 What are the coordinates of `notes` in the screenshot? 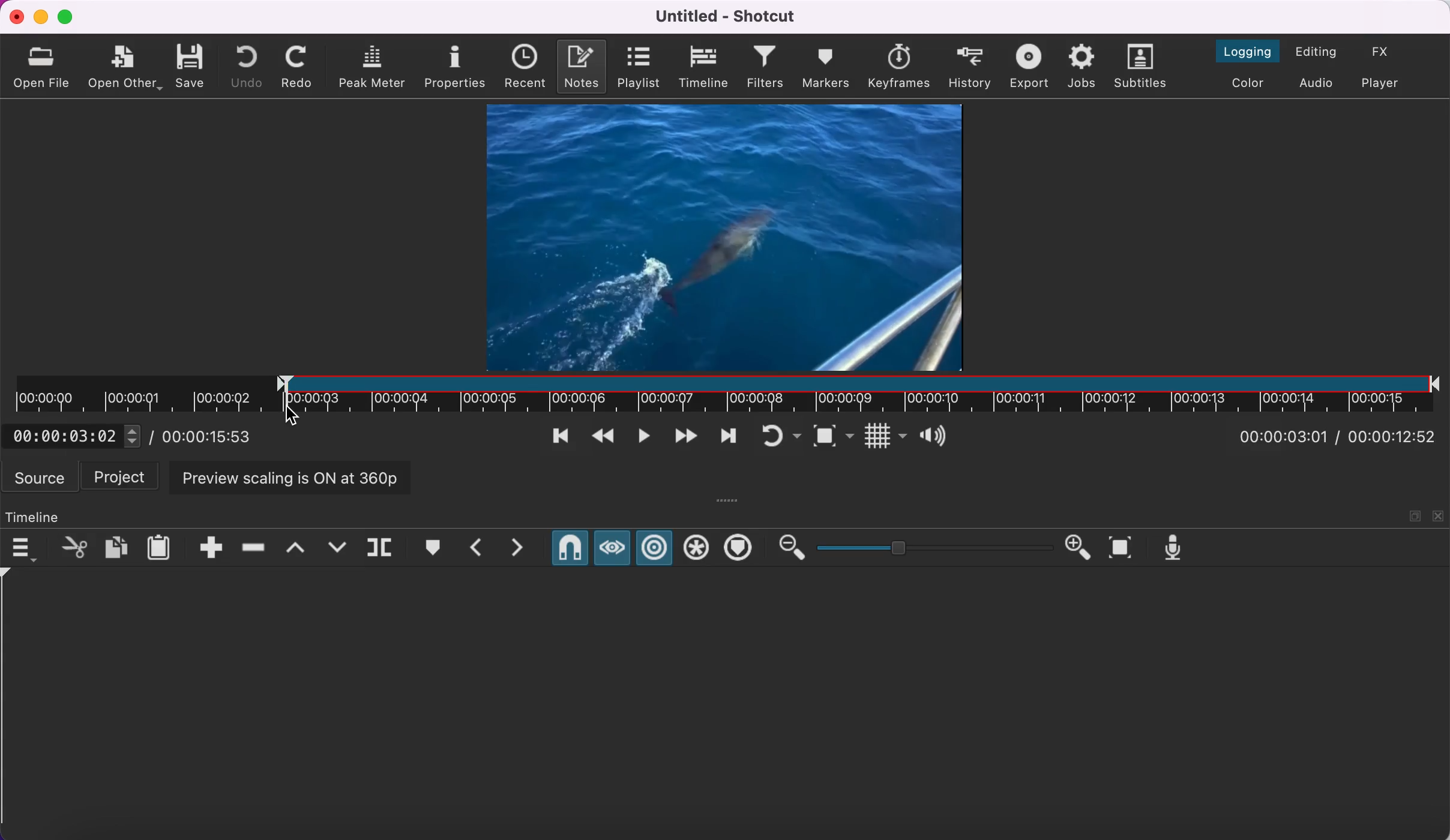 It's located at (583, 66).